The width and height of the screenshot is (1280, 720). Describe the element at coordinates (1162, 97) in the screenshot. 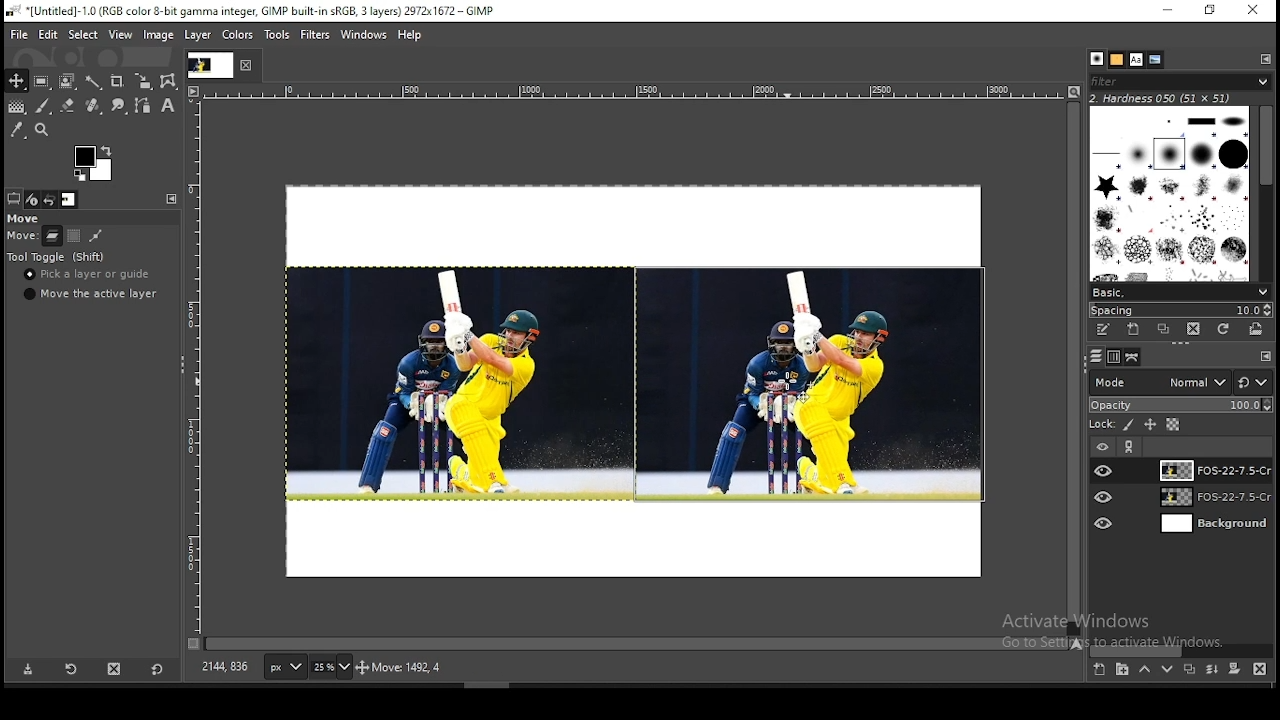

I see `text` at that location.